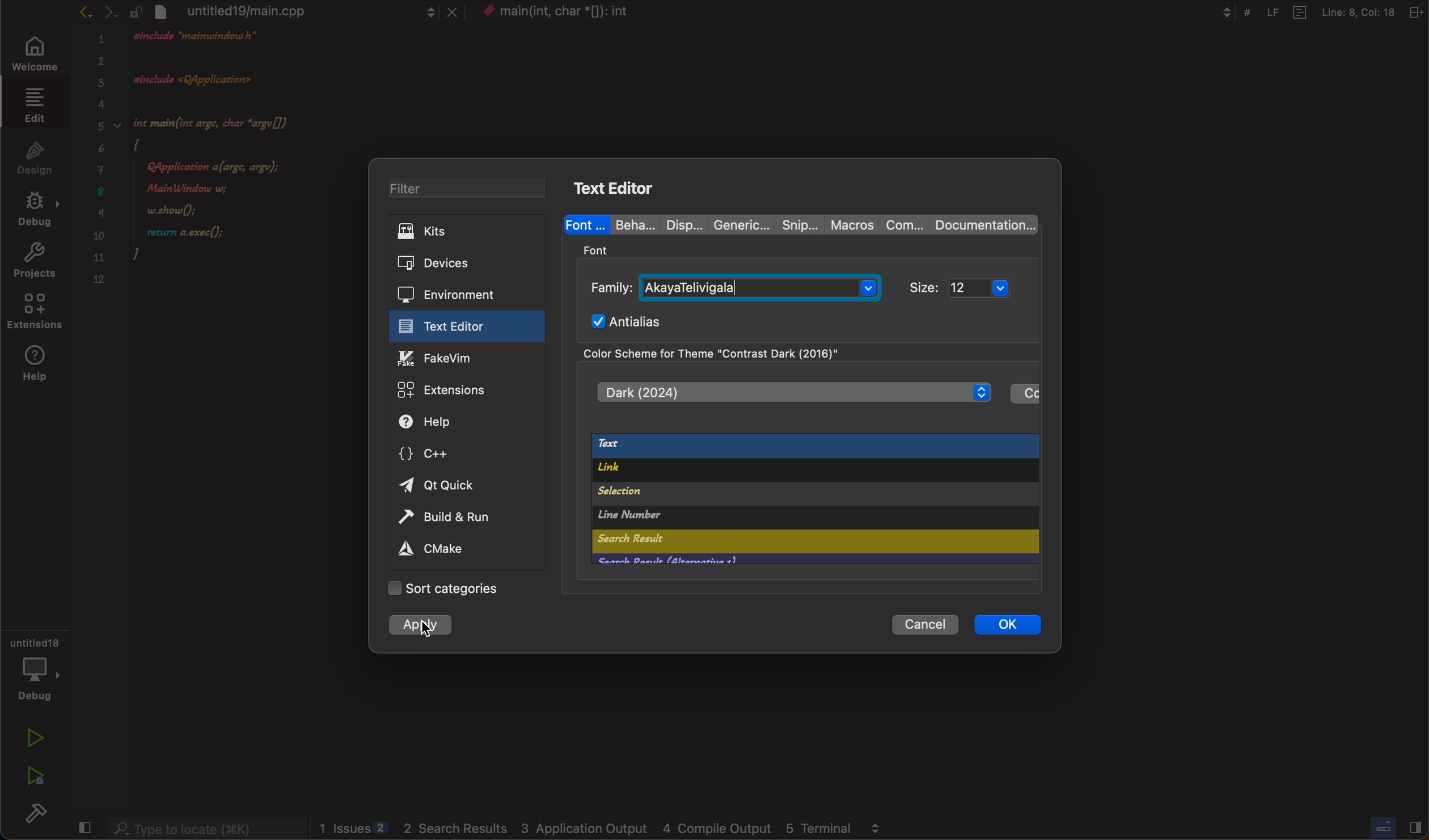 This screenshot has height=840, width=1429. Describe the element at coordinates (31, 739) in the screenshot. I see `run` at that location.